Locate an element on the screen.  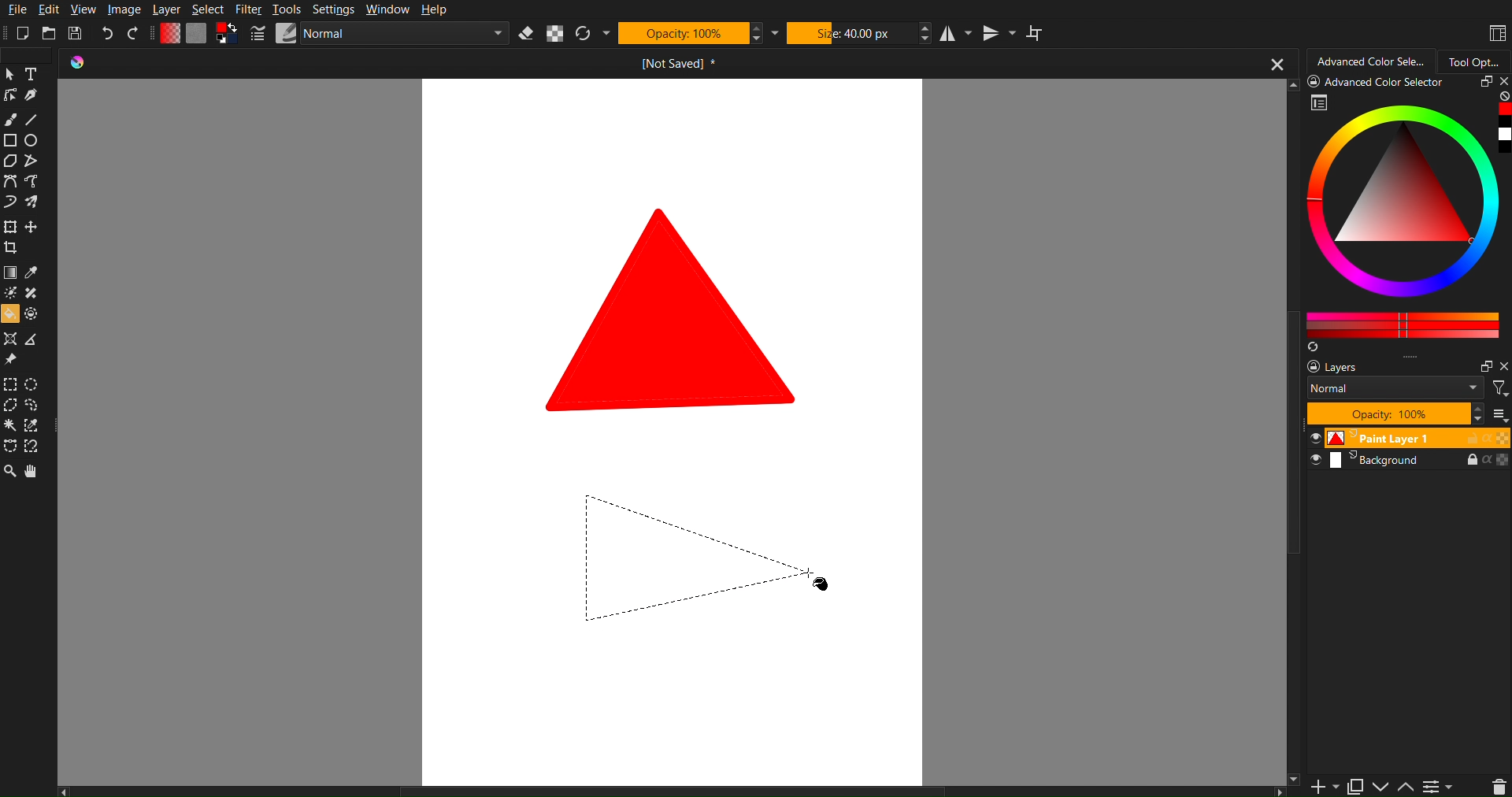
Filter is located at coordinates (249, 10).